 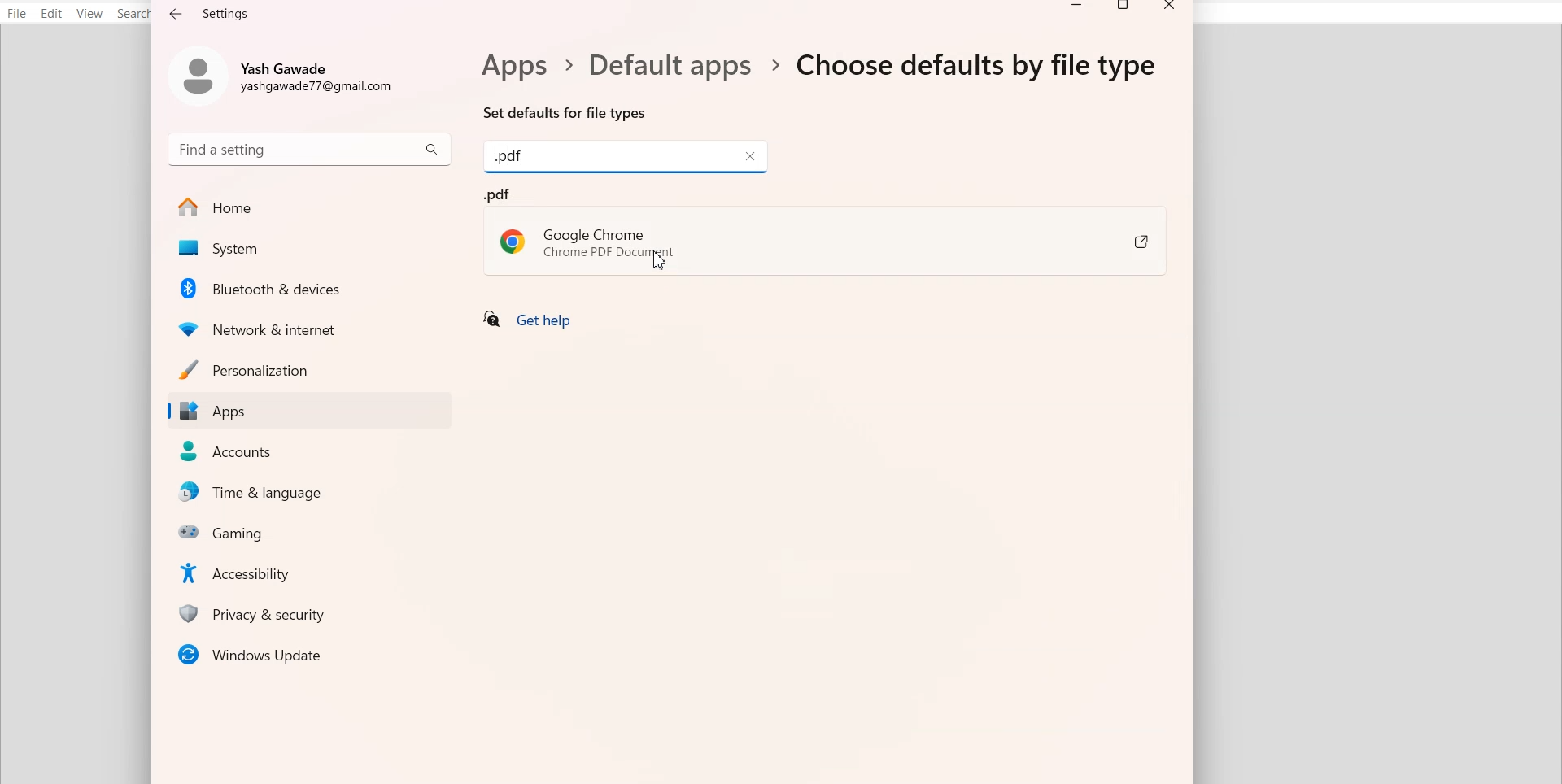 What do you see at coordinates (756, 157) in the screenshot?
I see `Close` at bounding box center [756, 157].